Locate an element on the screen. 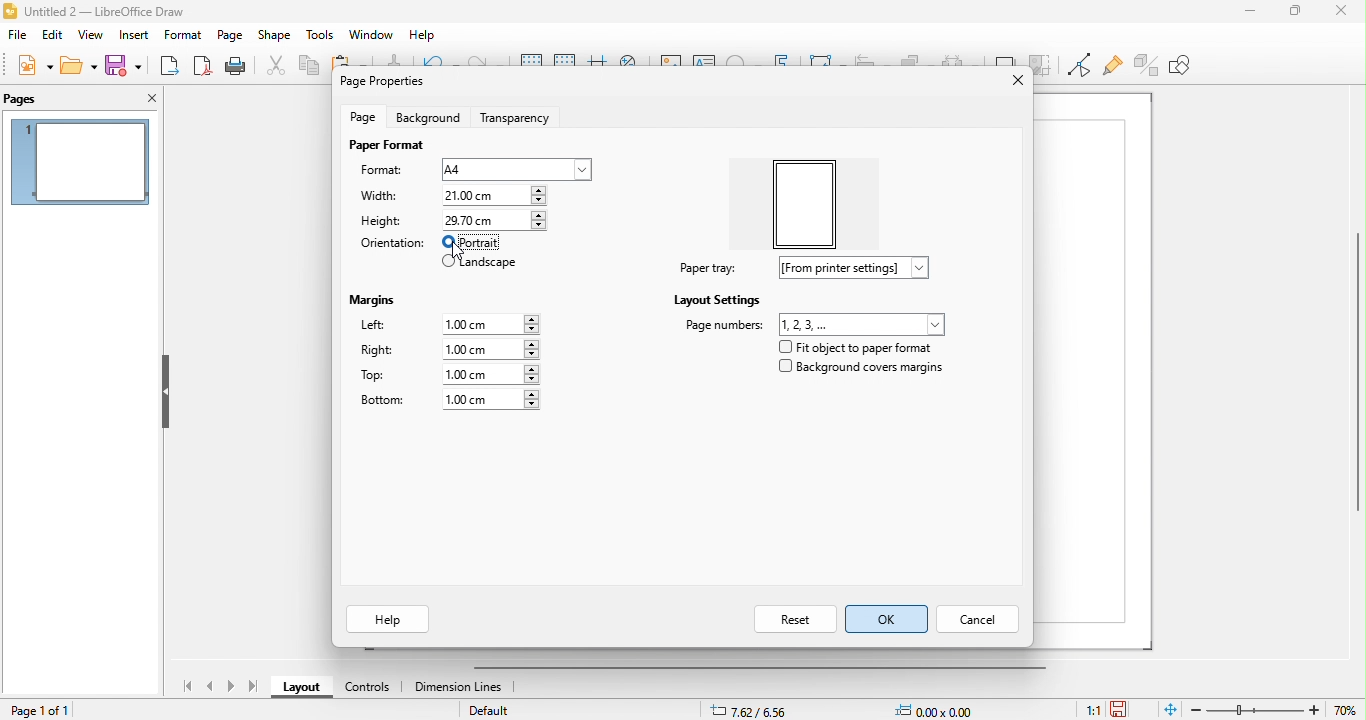 The width and height of the screenshot is (1366, 720). file is located at coordinates (17, 35).